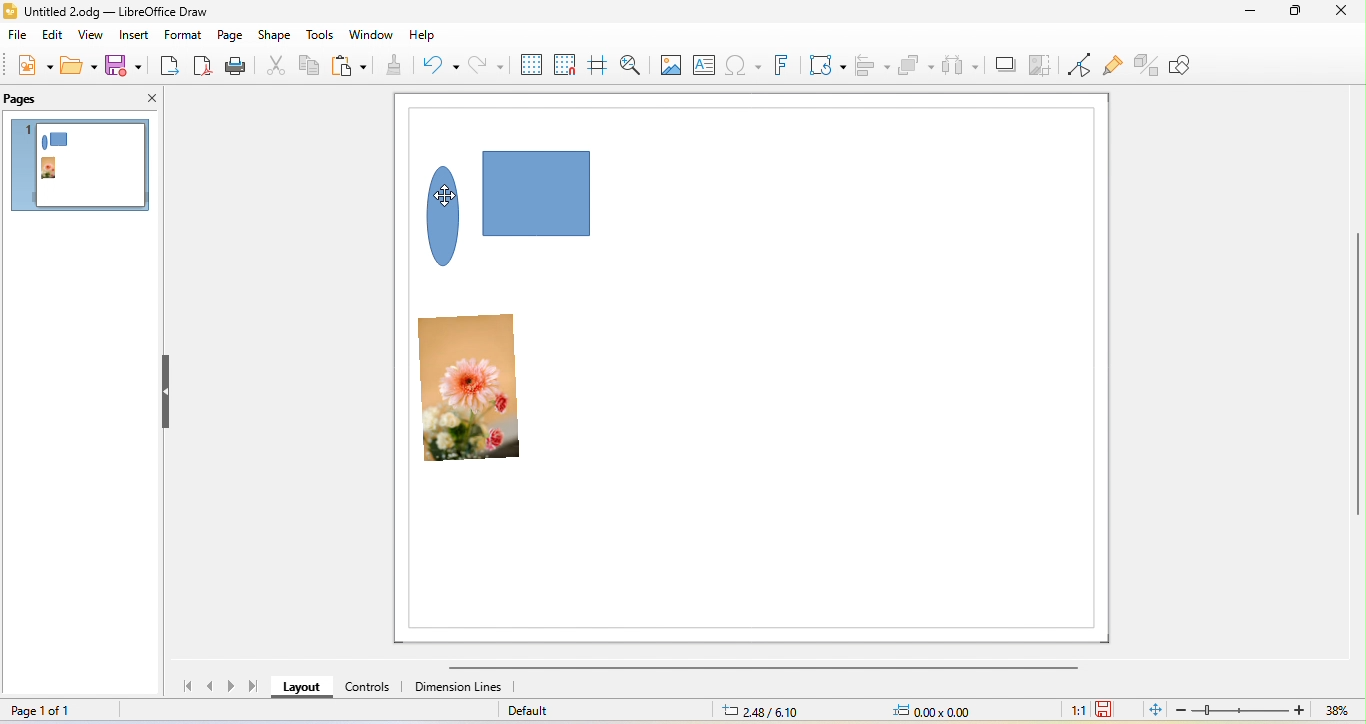  Describe the element at coordinates (58, 710) in the screenshot. I see `page 1 of 1` at that location.